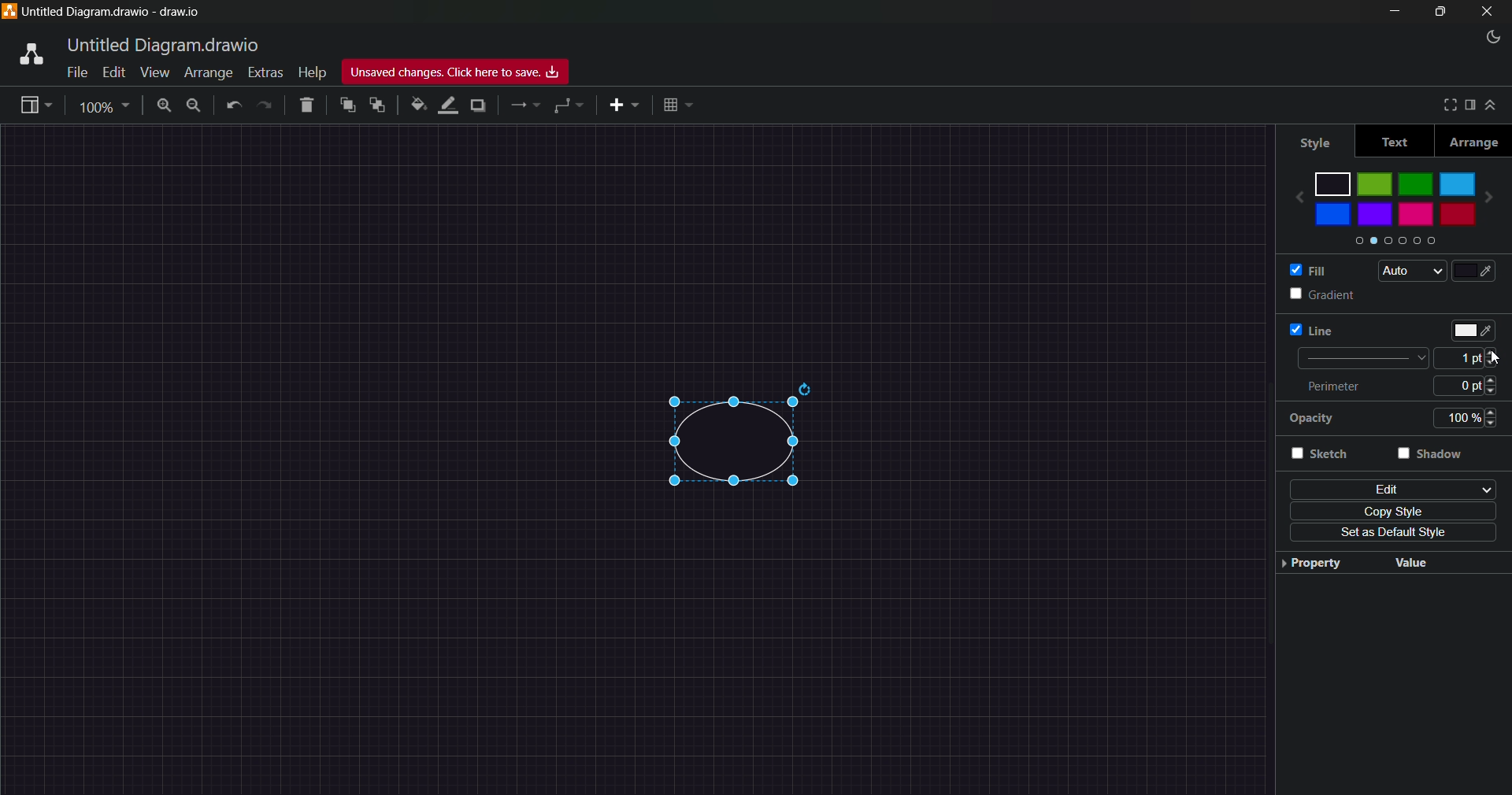  Describe the element at coordinates (1333, 385) in the screenshot. I see `perimeter` at that location.